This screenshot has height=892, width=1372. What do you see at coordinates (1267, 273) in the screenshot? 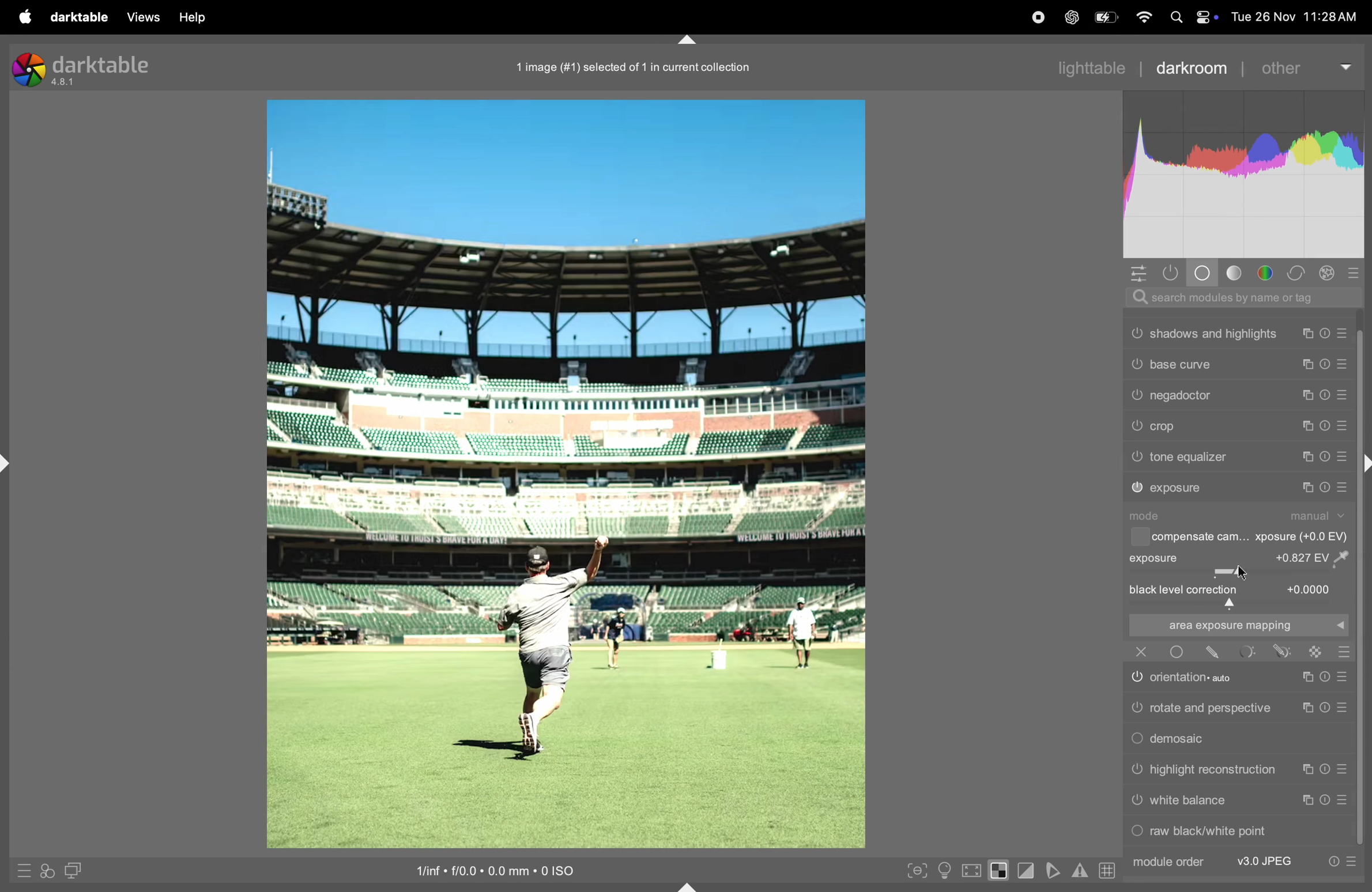
I see `color` at bounding box center [1267, 273].